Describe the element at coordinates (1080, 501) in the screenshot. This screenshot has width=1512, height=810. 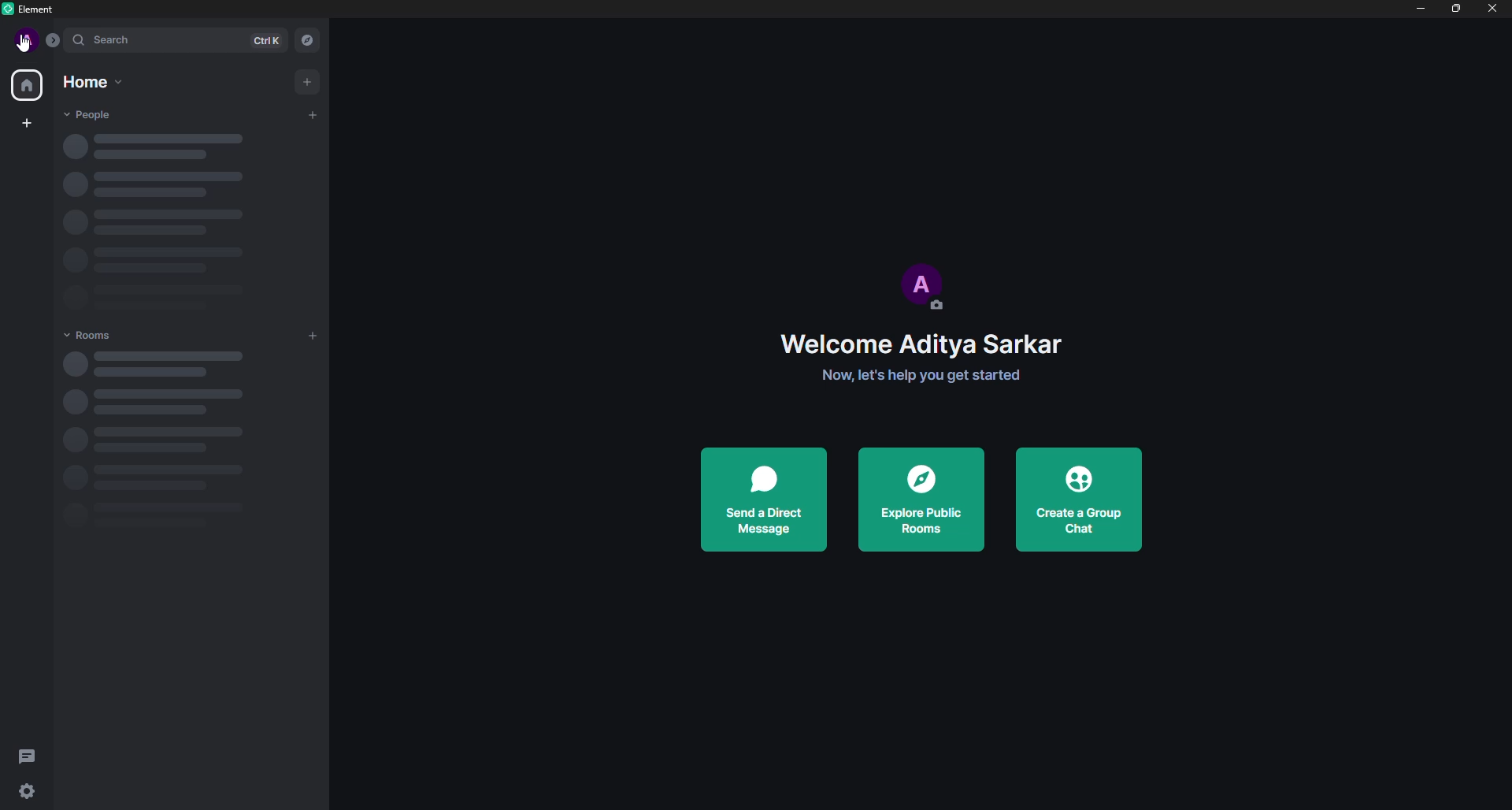
I see `create a group chat` at that location.